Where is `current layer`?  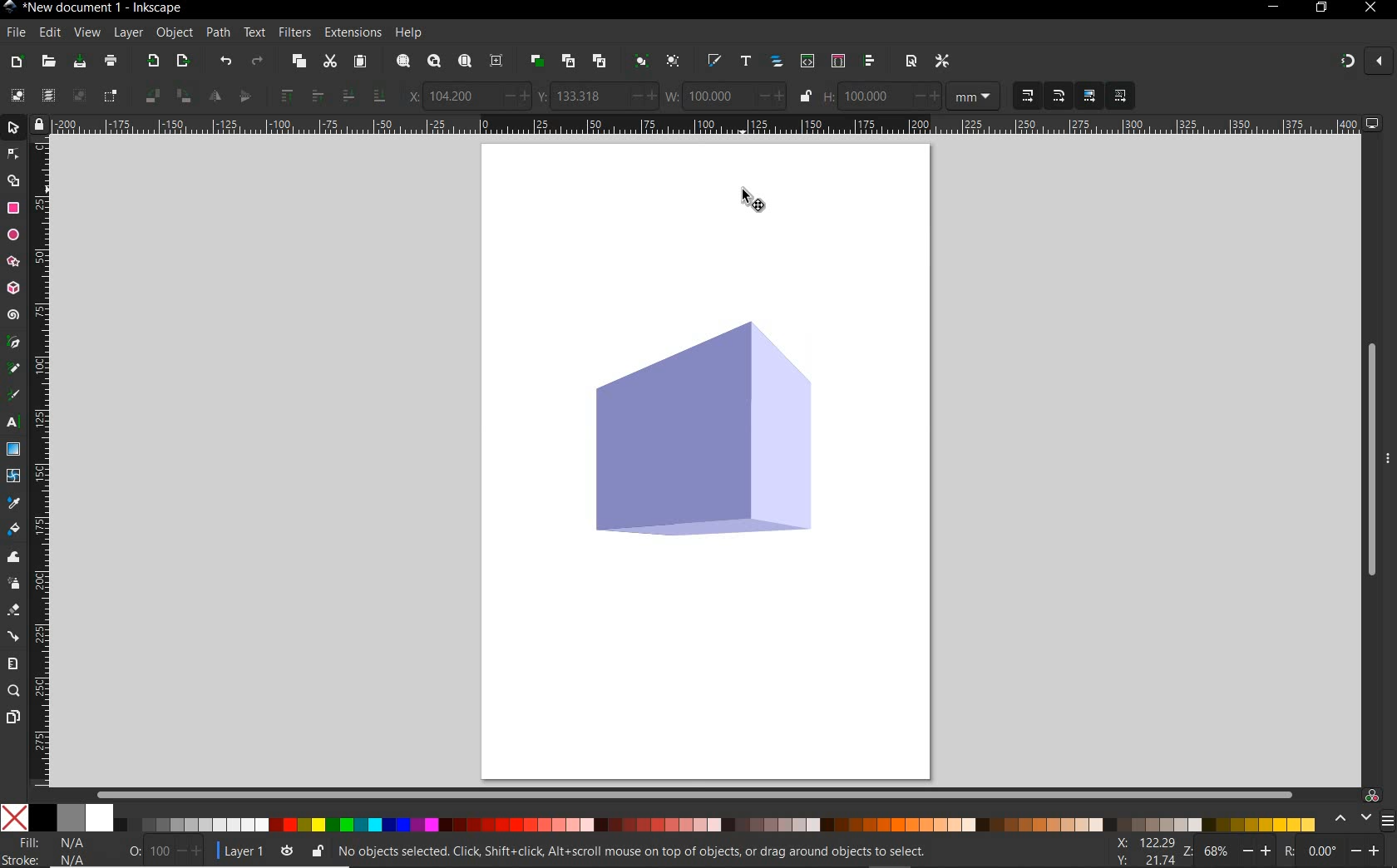
current layer is located at coordinates (244, 851).